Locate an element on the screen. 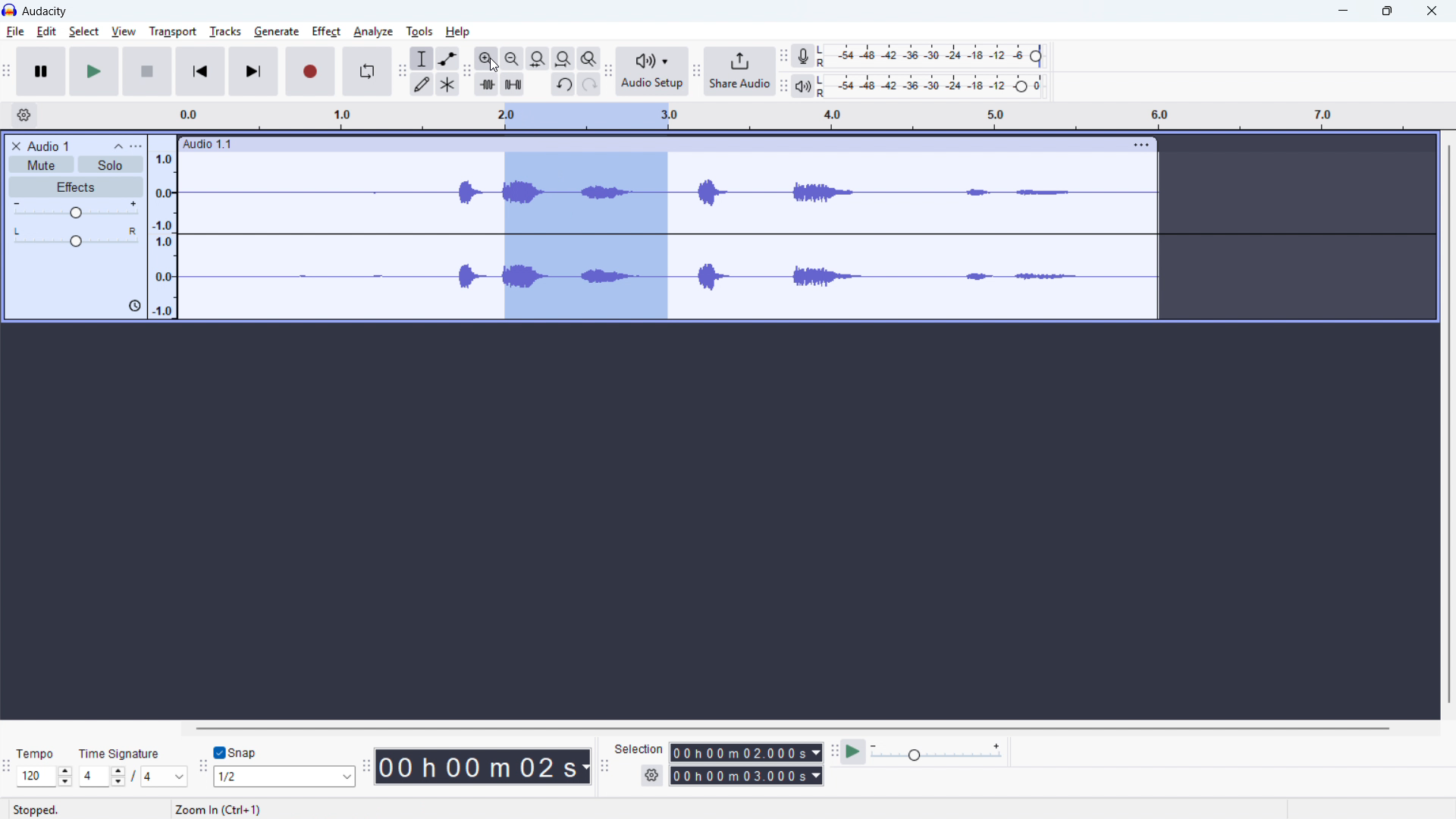 This screenshot has height=819, width=1456. Recording level is located at coordinates (935, 56).